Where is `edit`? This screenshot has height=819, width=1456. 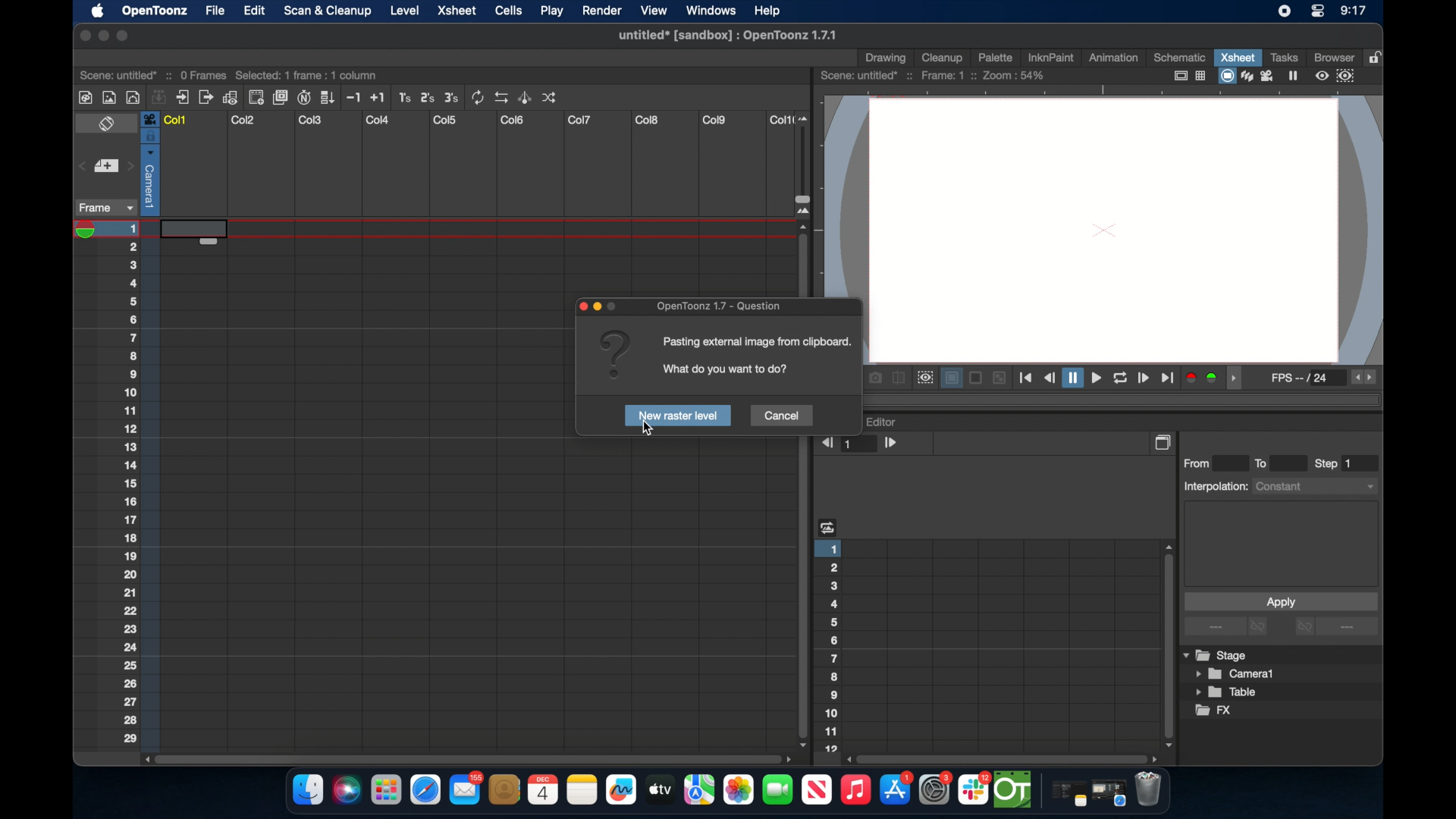 edit is located at coordinates (252, 11).